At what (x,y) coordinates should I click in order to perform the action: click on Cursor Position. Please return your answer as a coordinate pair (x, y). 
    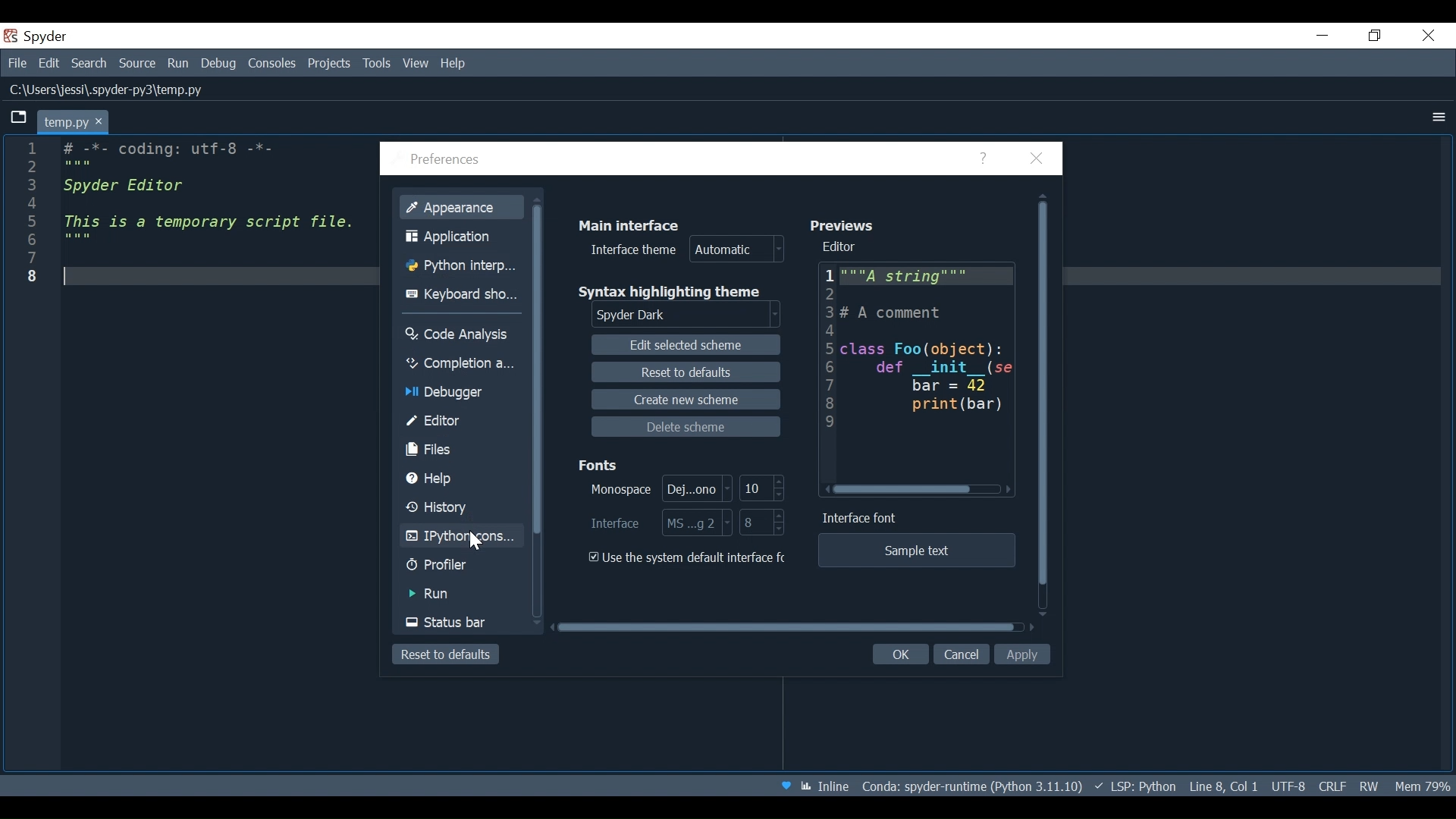
    Looking at the image, I should click on (1244, 788).